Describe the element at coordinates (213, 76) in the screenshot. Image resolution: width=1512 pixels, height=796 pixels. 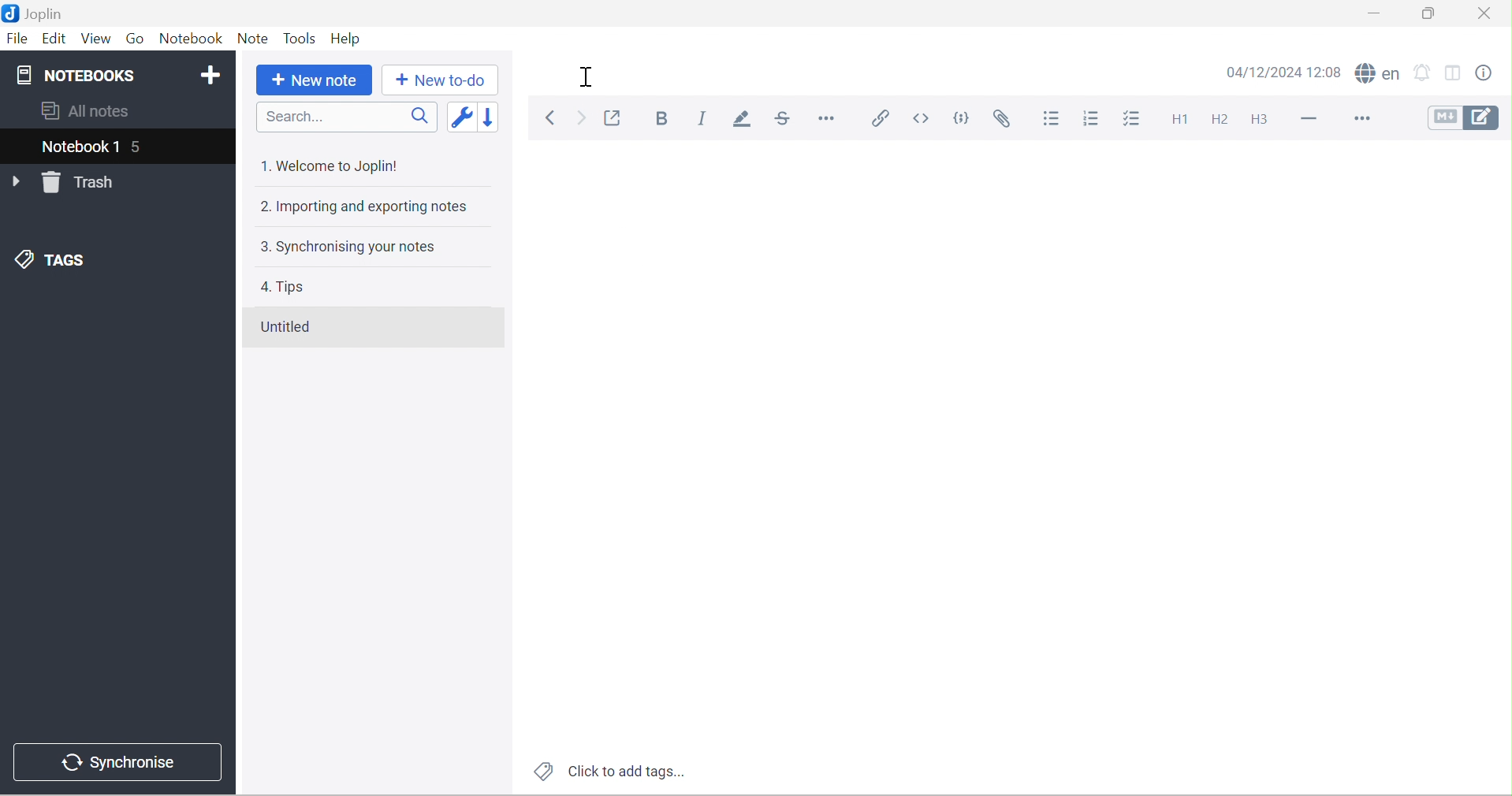
I see `Add notebook` at that location.